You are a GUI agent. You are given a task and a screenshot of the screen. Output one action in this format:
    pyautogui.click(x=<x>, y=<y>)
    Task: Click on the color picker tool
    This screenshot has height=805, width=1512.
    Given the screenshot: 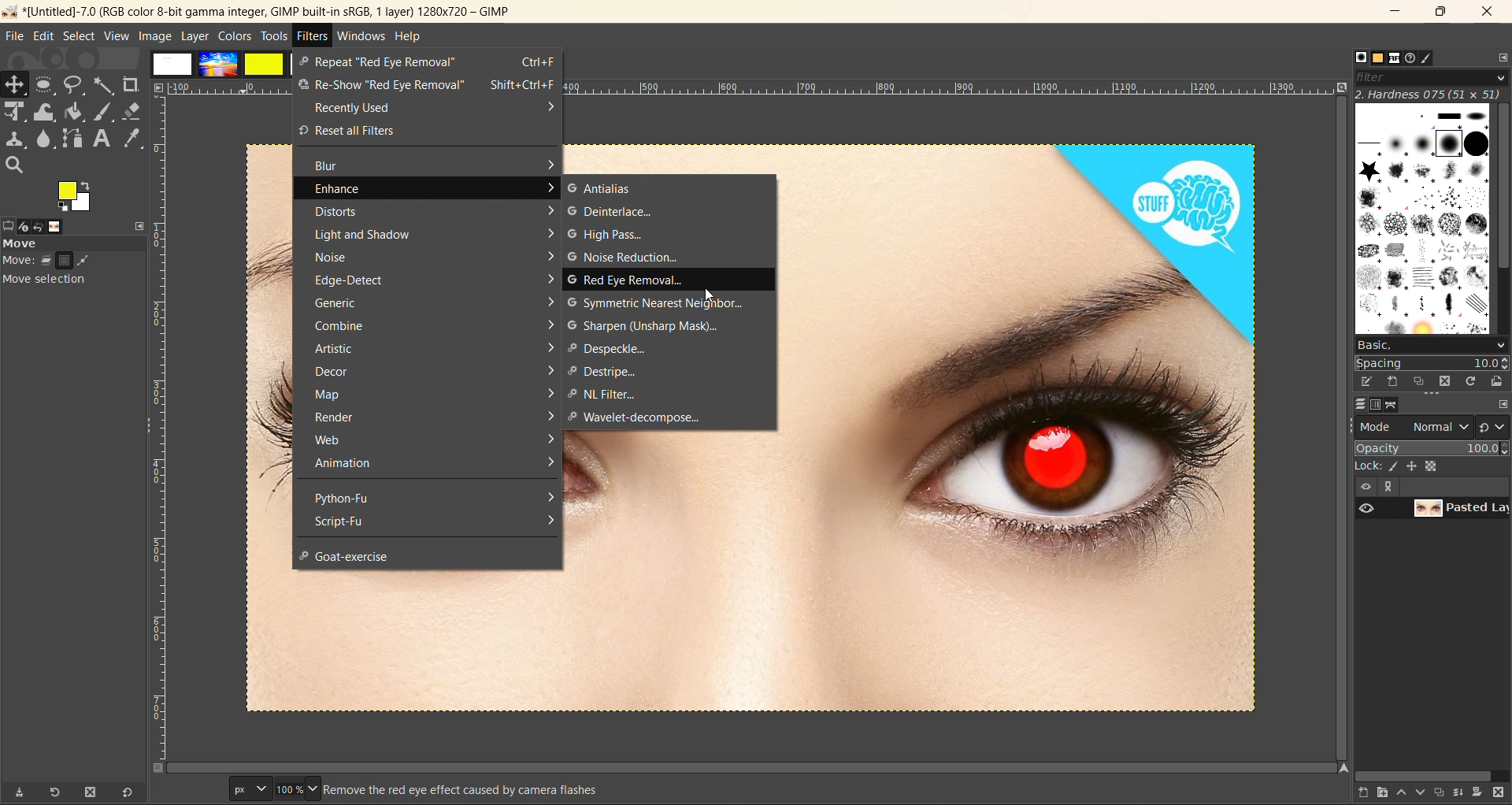 What is the action you would take?
    pyautogui.click(x=134, y=139)
    